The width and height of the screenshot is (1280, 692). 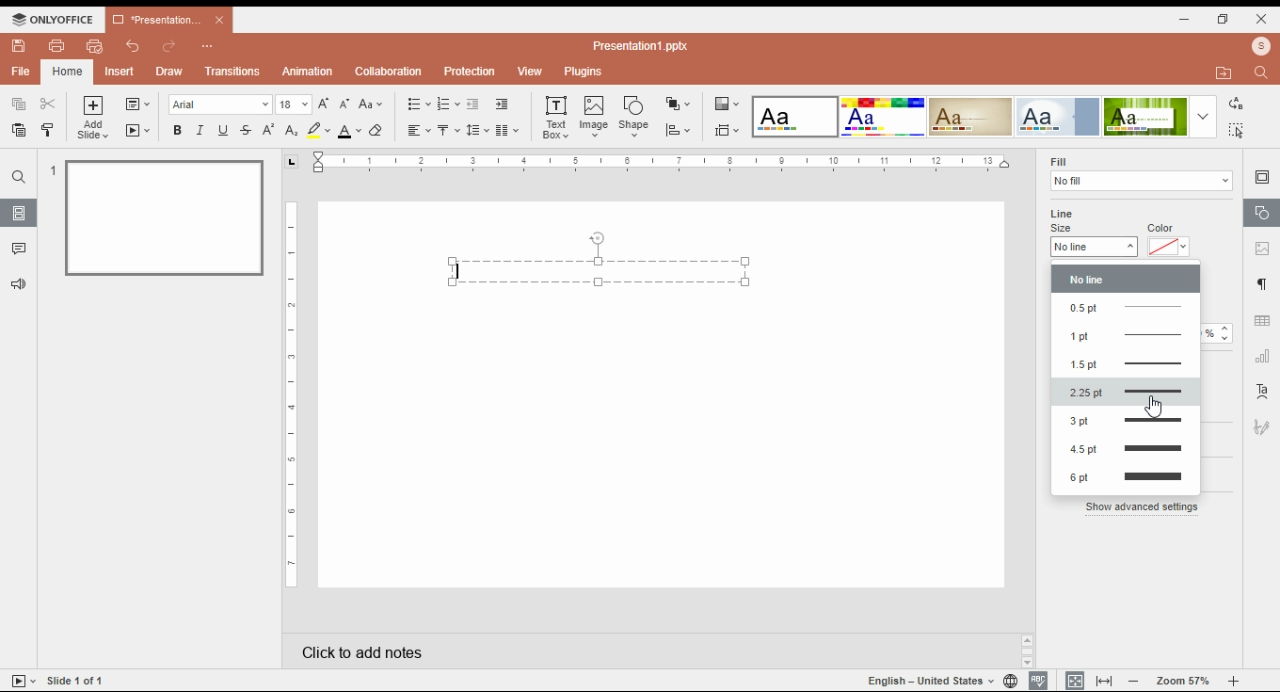 What do you see at coordinates (1162, 227) in the screenshot?
I see `color` at bounding box center [1162, 227].